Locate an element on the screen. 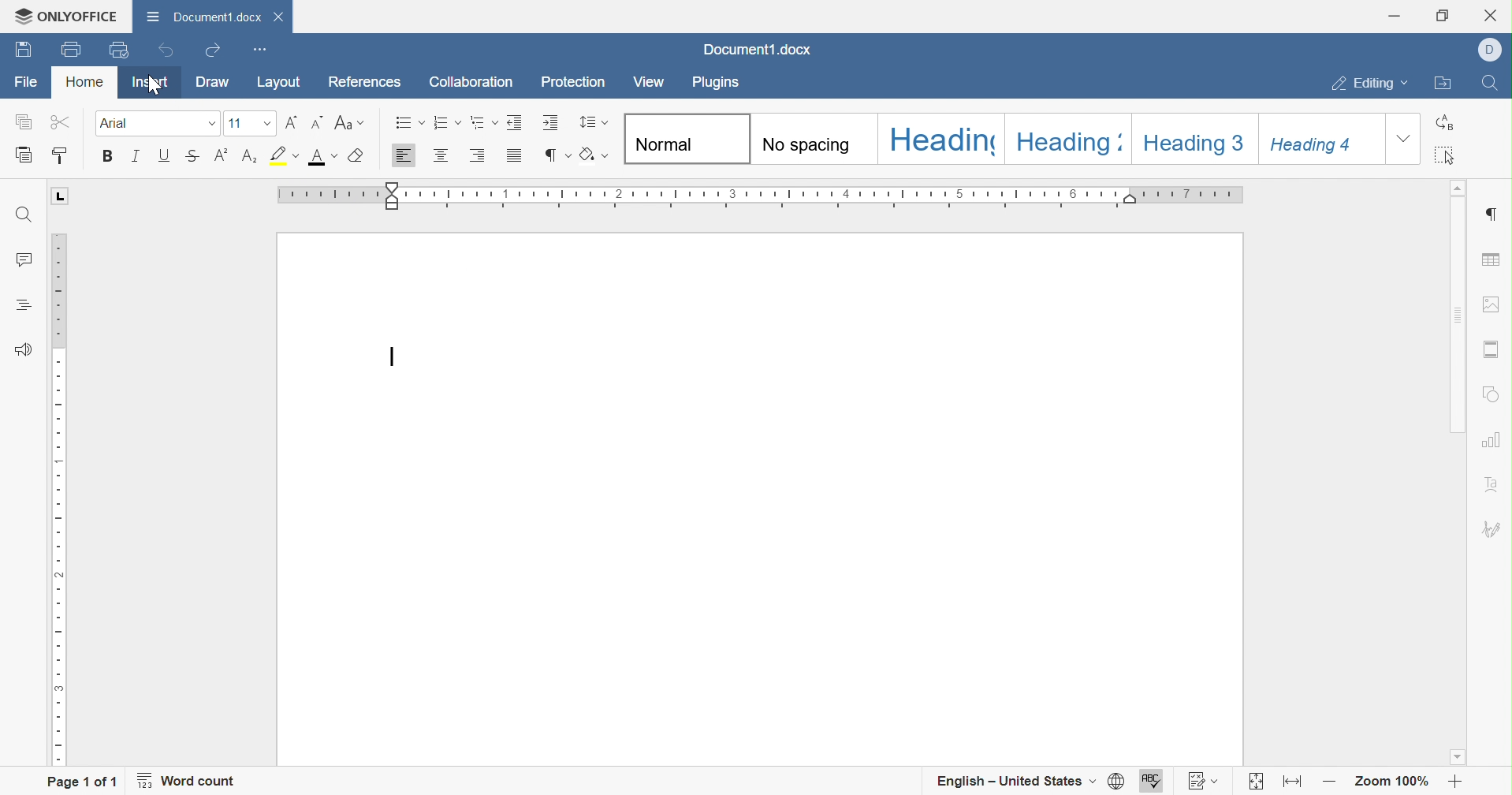  View is located at coordinates (648, 80).